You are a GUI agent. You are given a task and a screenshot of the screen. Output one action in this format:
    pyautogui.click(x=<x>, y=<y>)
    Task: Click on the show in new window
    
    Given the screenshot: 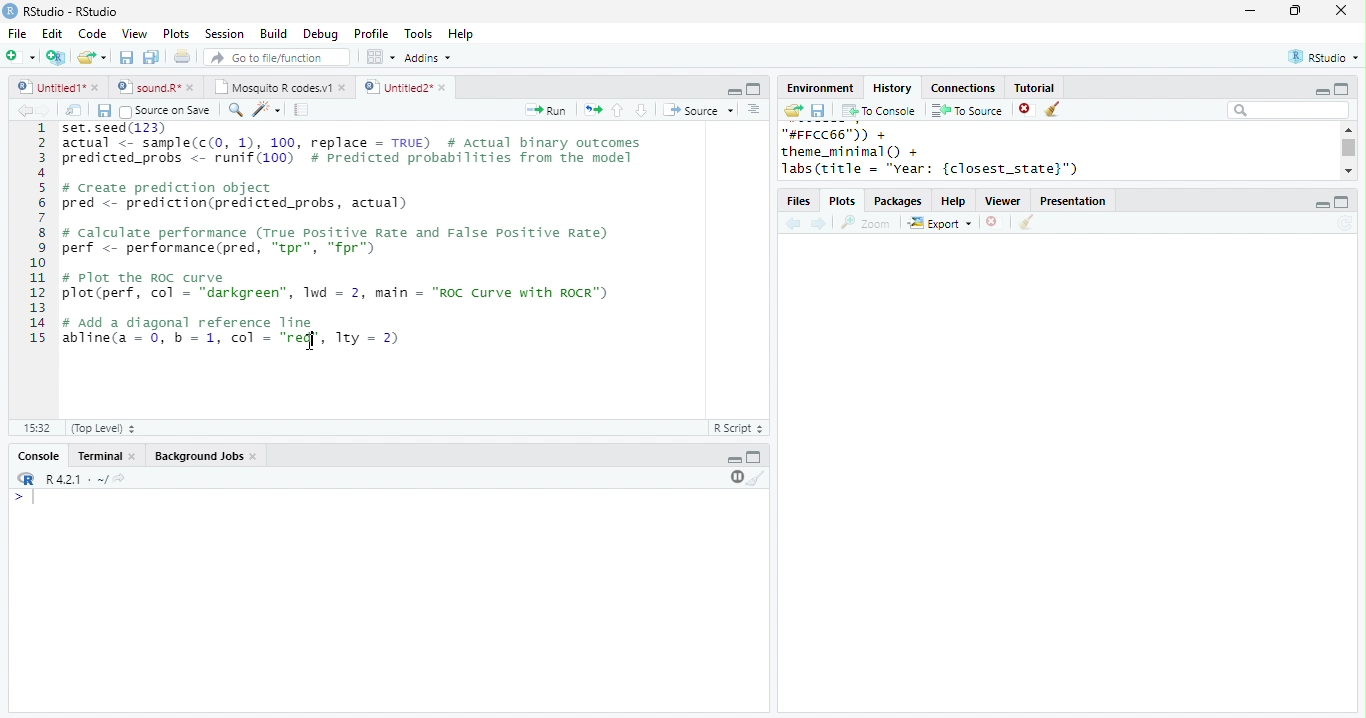 What is the action you would take?
    pyautogui.click(x=75, y=110)
    